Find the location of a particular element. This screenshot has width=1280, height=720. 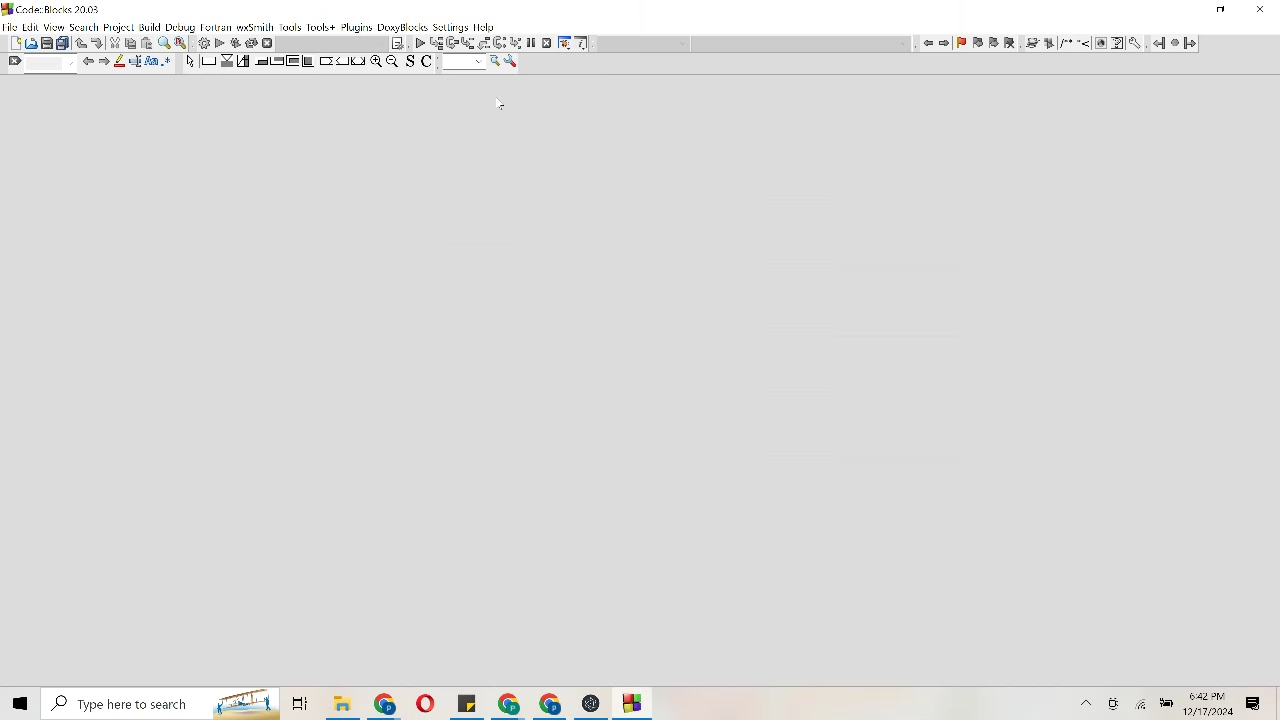

minimize is located at coordinates (1222, 10).